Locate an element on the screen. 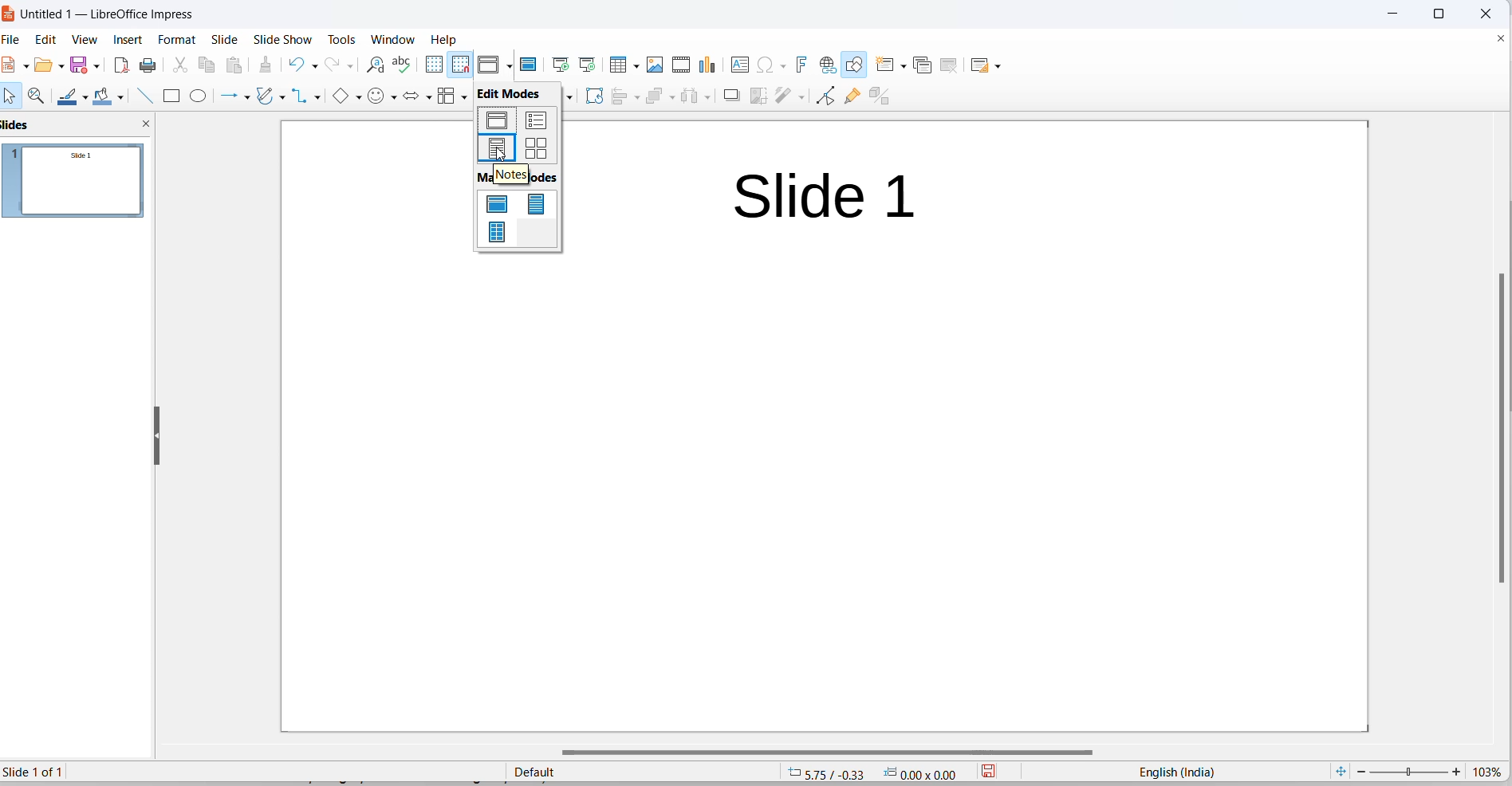 This screenshot has width=1512, height=786. flowcharts is located at coordinates (445, 99).